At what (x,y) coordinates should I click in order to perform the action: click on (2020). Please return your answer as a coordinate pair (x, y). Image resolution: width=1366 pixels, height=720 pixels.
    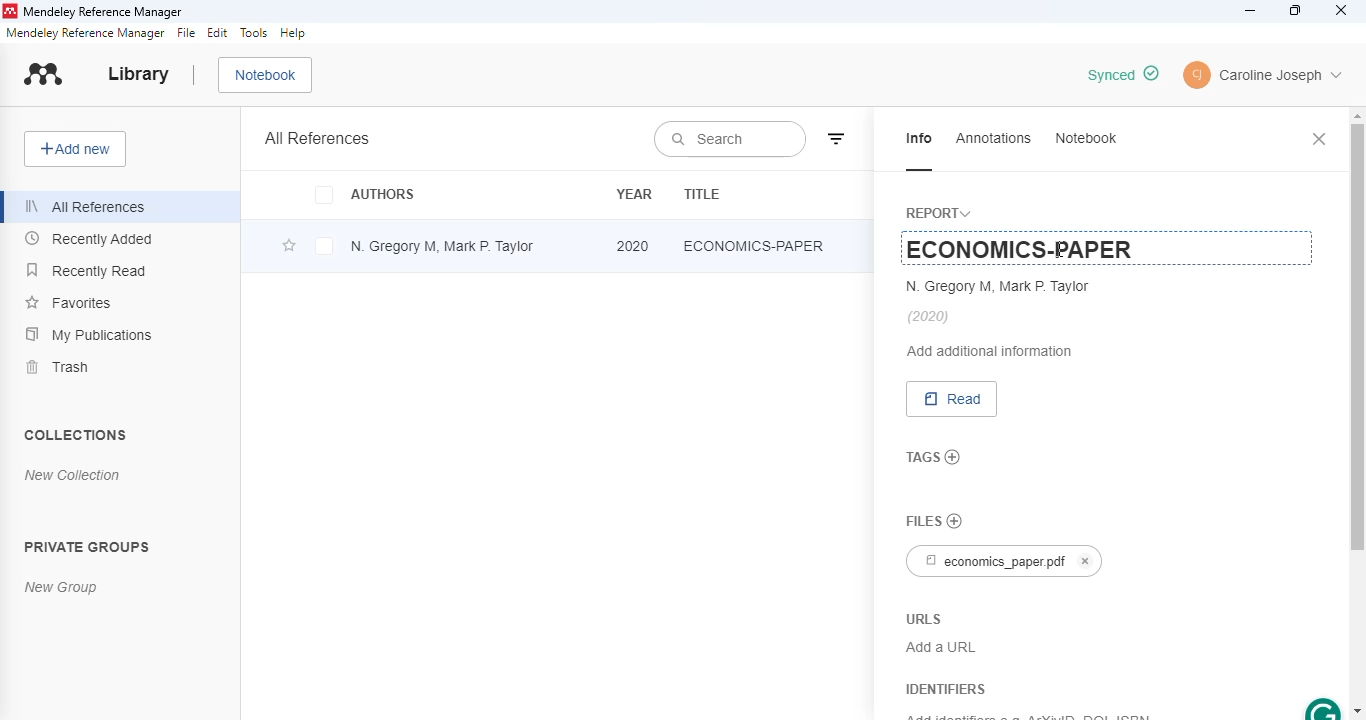
    Looking at the image, I should click on (929, 317).